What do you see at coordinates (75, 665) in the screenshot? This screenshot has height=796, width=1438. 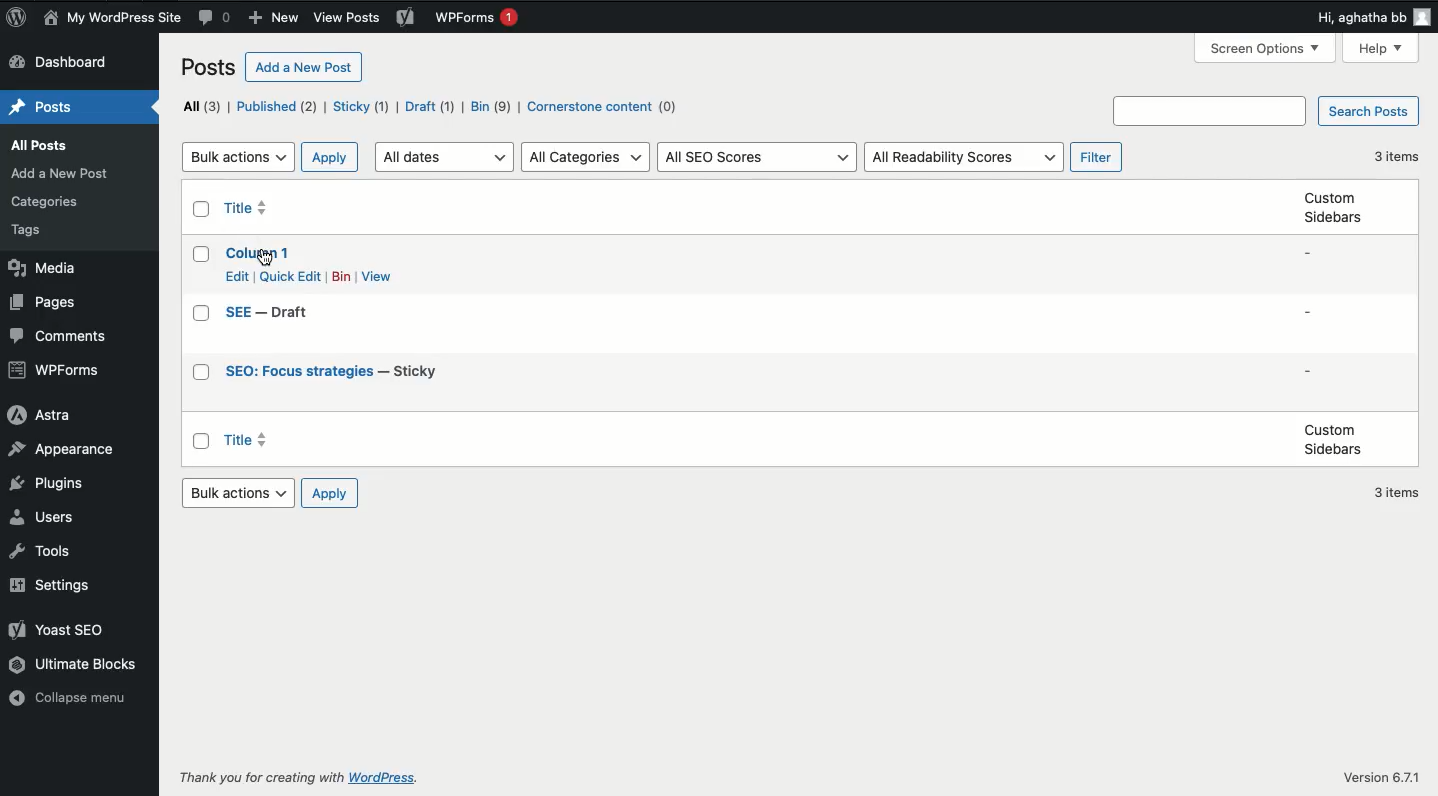 I see `Ultimate blocks ` at bounding box center [75, 665].